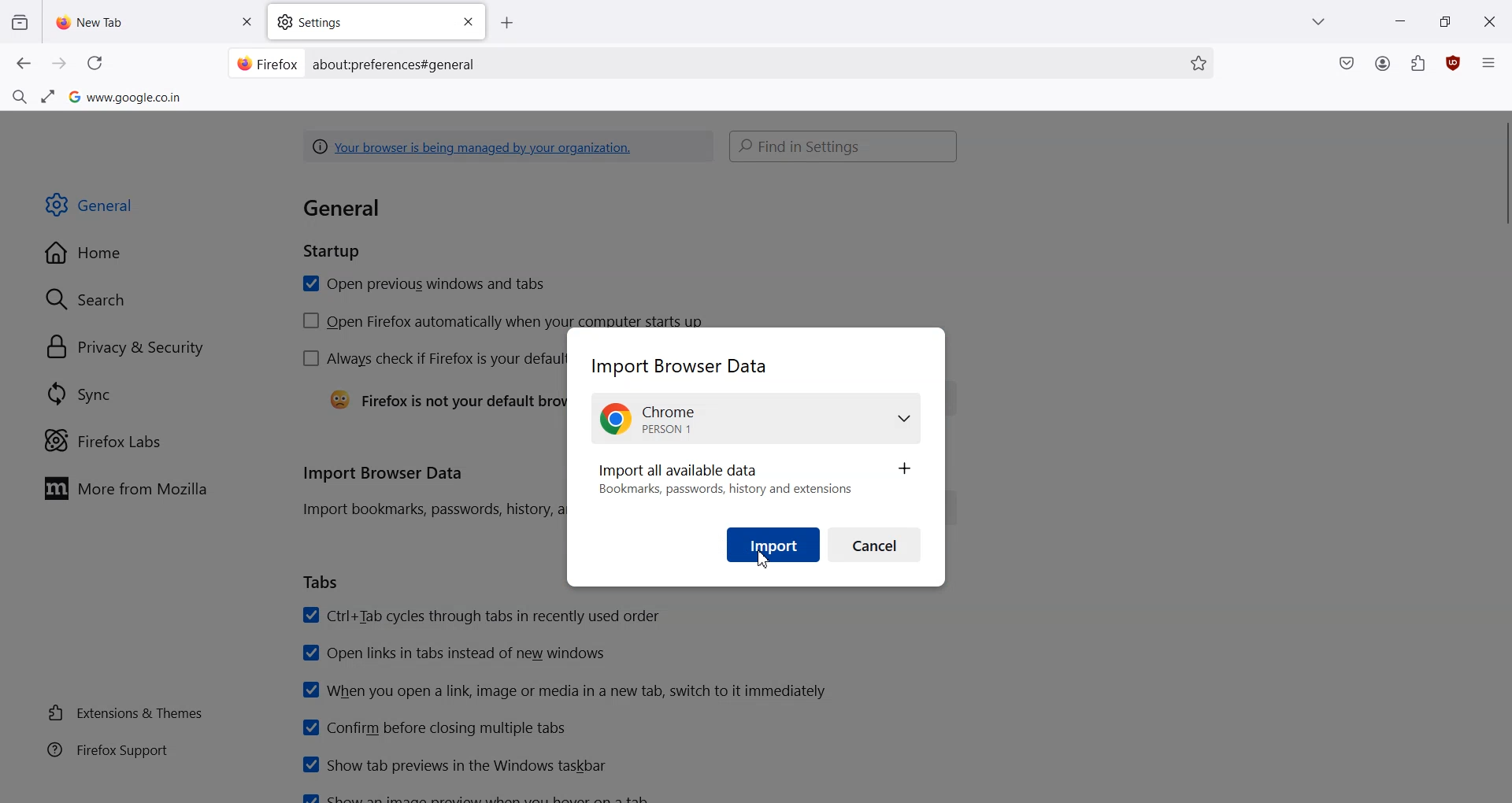 Image resolution: width=1512 pixels, height=803 pixels. Describe the element at coordinates (687, 368) in the screenshot. I see `Import Browser Data` at that location.